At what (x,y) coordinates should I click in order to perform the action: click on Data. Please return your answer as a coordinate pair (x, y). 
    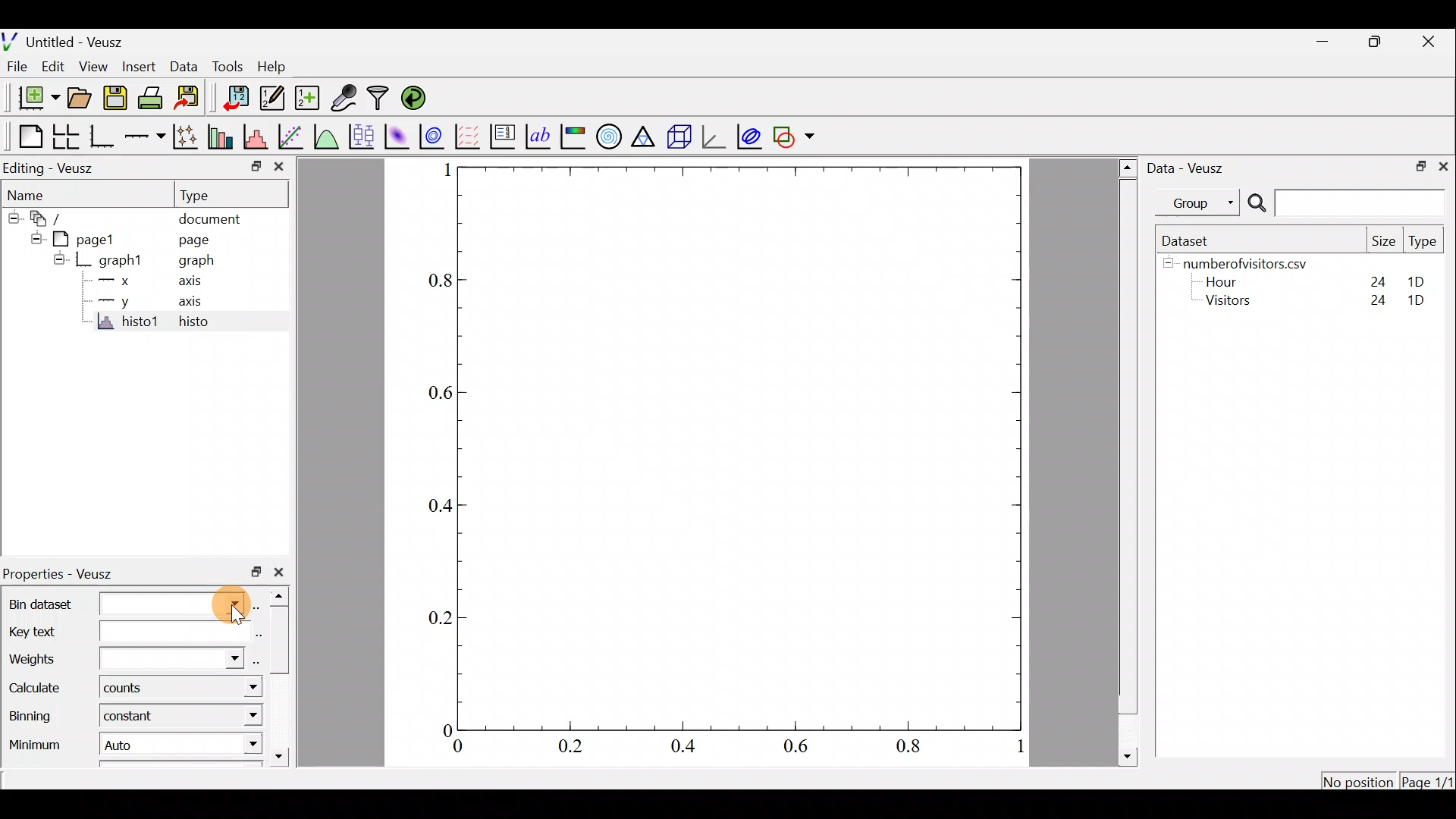
    Looking at the image, I should click on (183, 65).